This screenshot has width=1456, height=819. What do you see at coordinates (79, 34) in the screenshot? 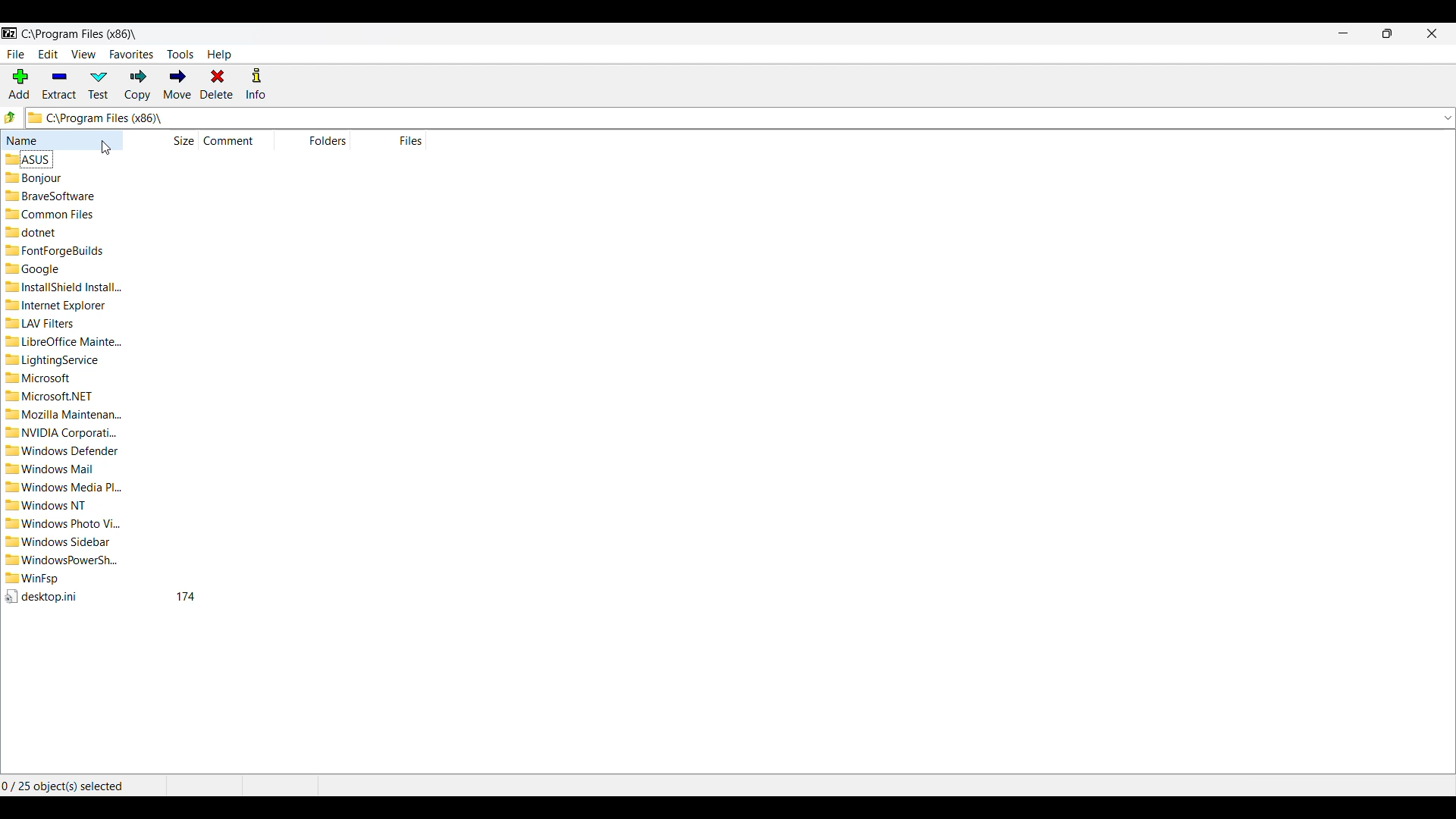
I see `Location of current folder` at bounding box center [79, 34].